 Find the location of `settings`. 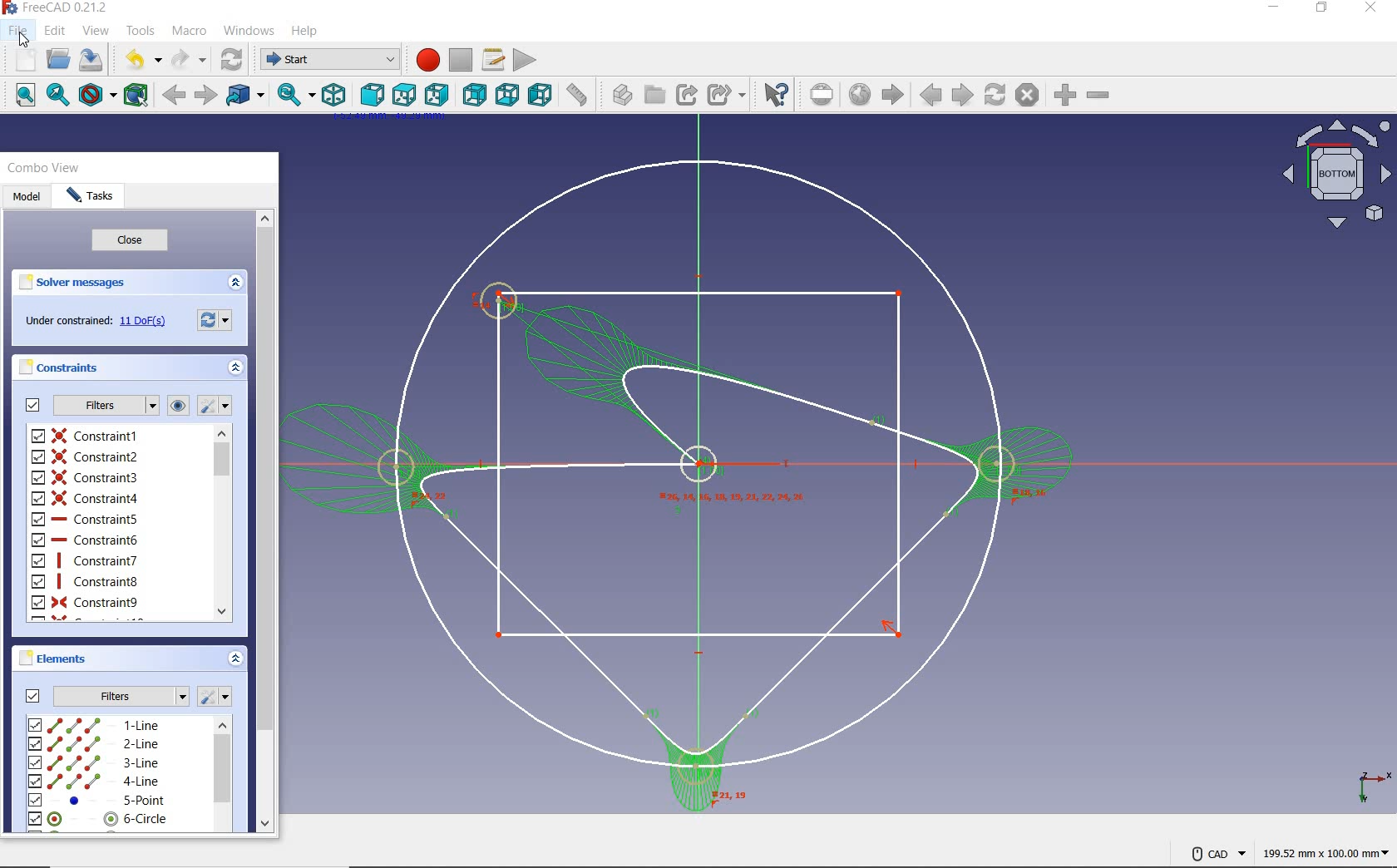

settings is located at coordinates (216, 404).